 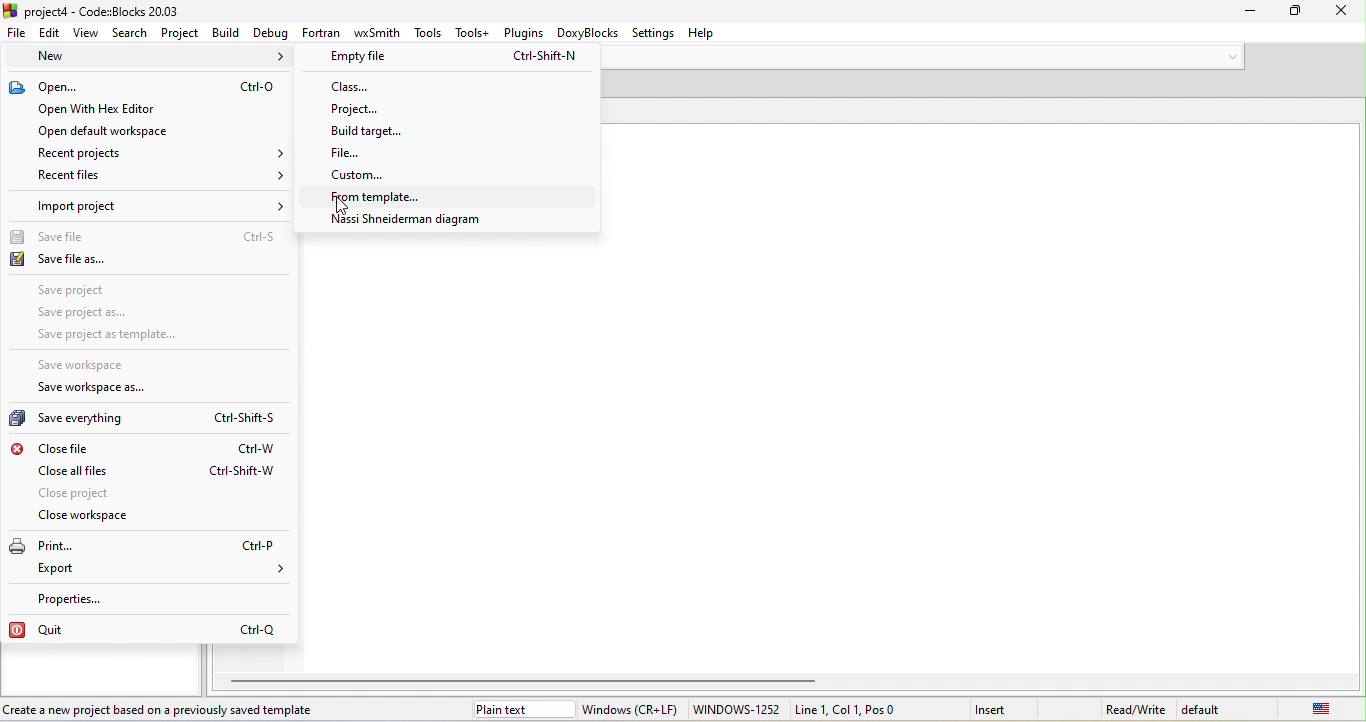 What do you see at coordinates (321, 30) in the screenshot?
I see `fortran` at bounding box center [321, 30].